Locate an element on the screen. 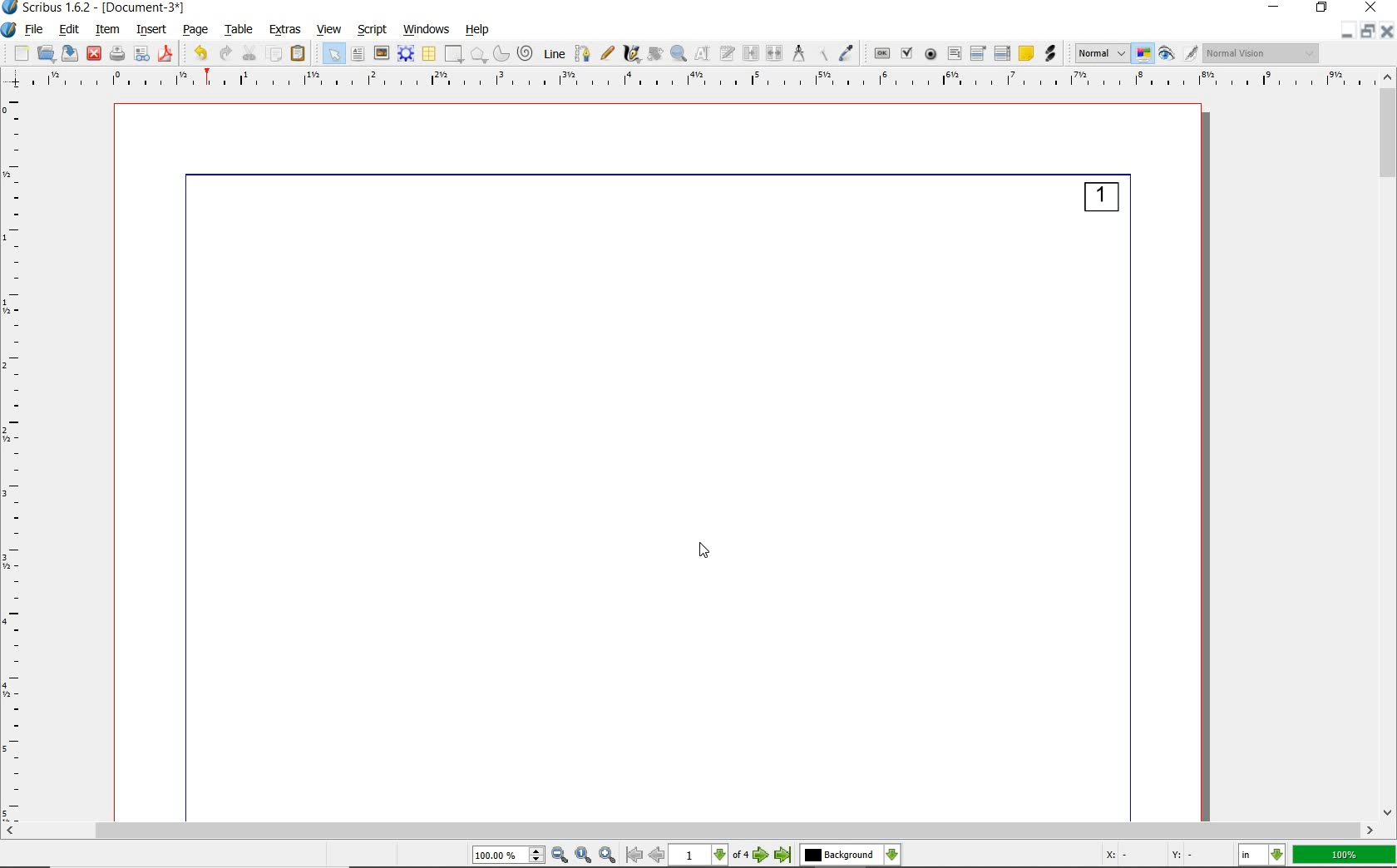 The image size is (1397, 868). 1 of 4 is located at coordinates (711, 856).